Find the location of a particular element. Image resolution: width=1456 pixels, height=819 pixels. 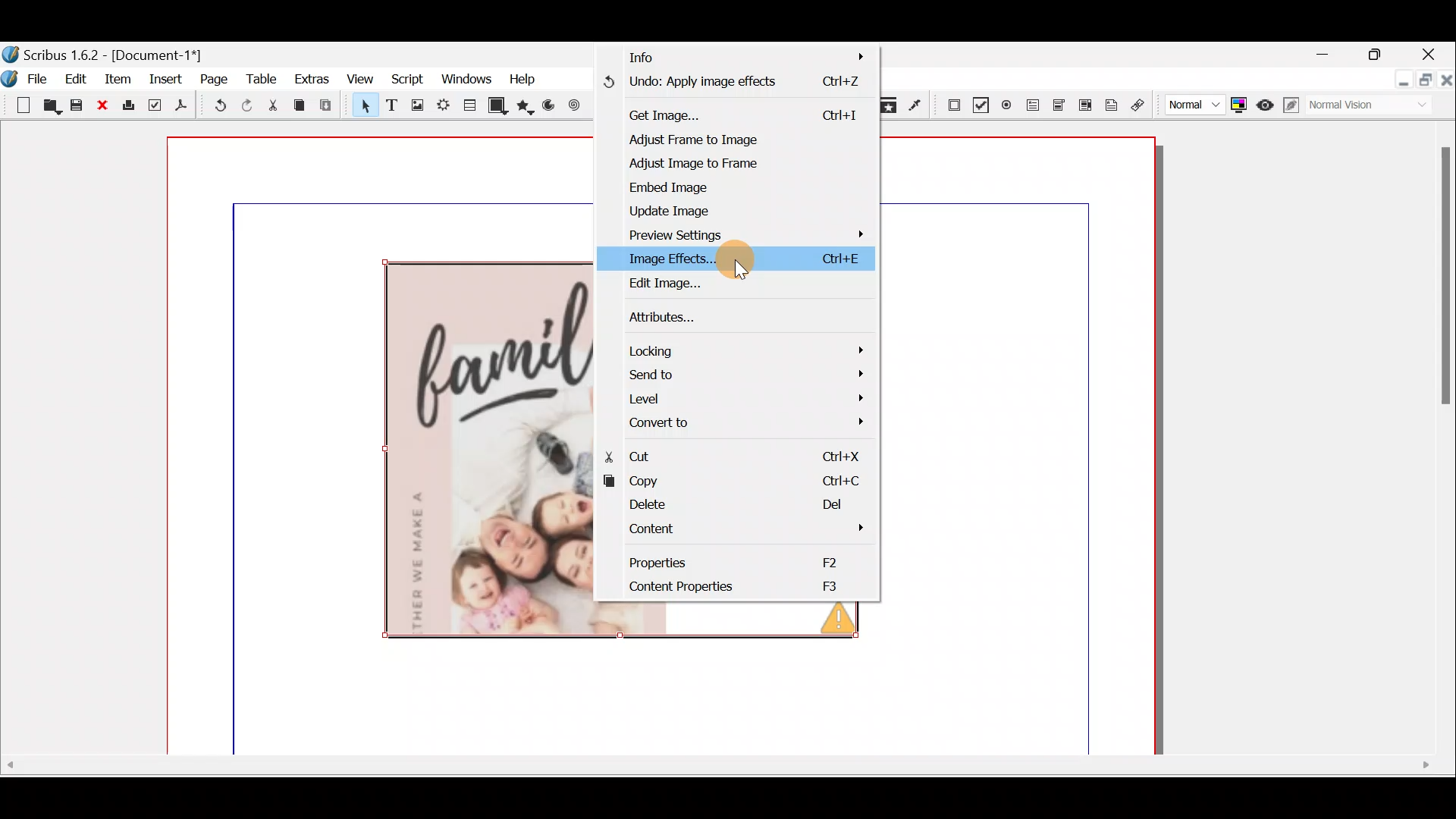

Scroll bar is located at coordinates (1436, 437).